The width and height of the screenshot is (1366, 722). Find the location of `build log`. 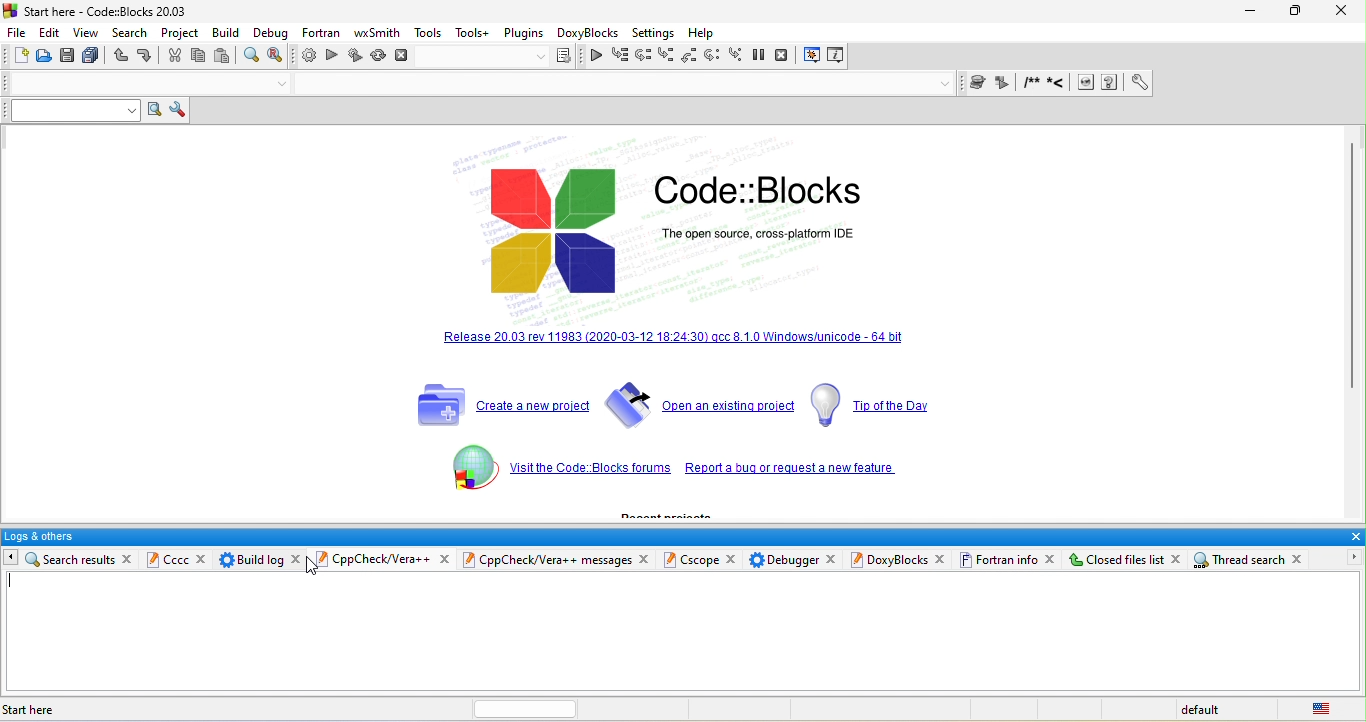

build log is located at coordinates (164, 559).